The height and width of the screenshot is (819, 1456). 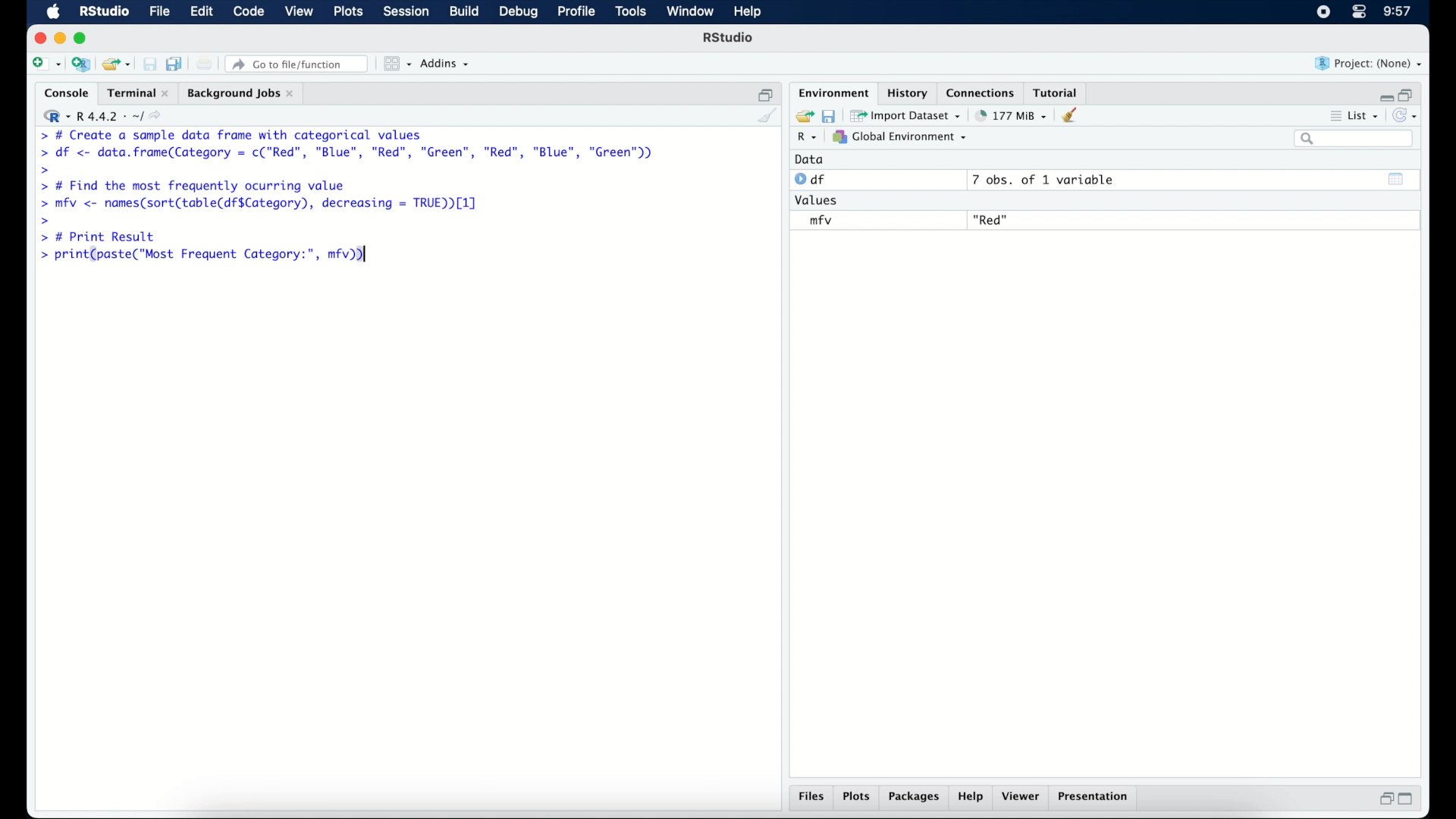 What do you see at coordinates (174, 62) in the screenshot?
I see `save all open documents` at bounding box center [174, 62].